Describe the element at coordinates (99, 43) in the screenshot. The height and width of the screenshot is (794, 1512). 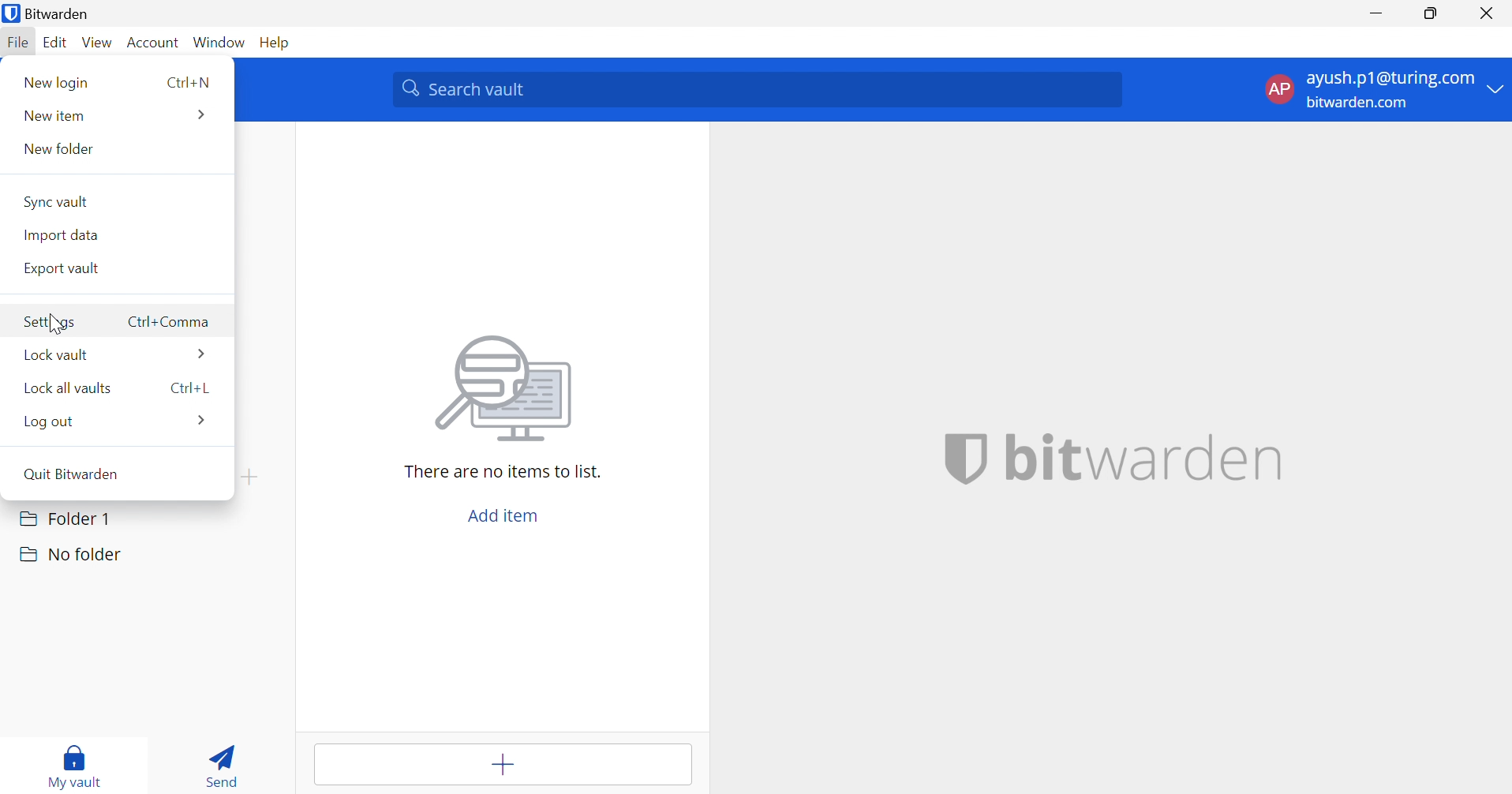
I see `View` at that location.